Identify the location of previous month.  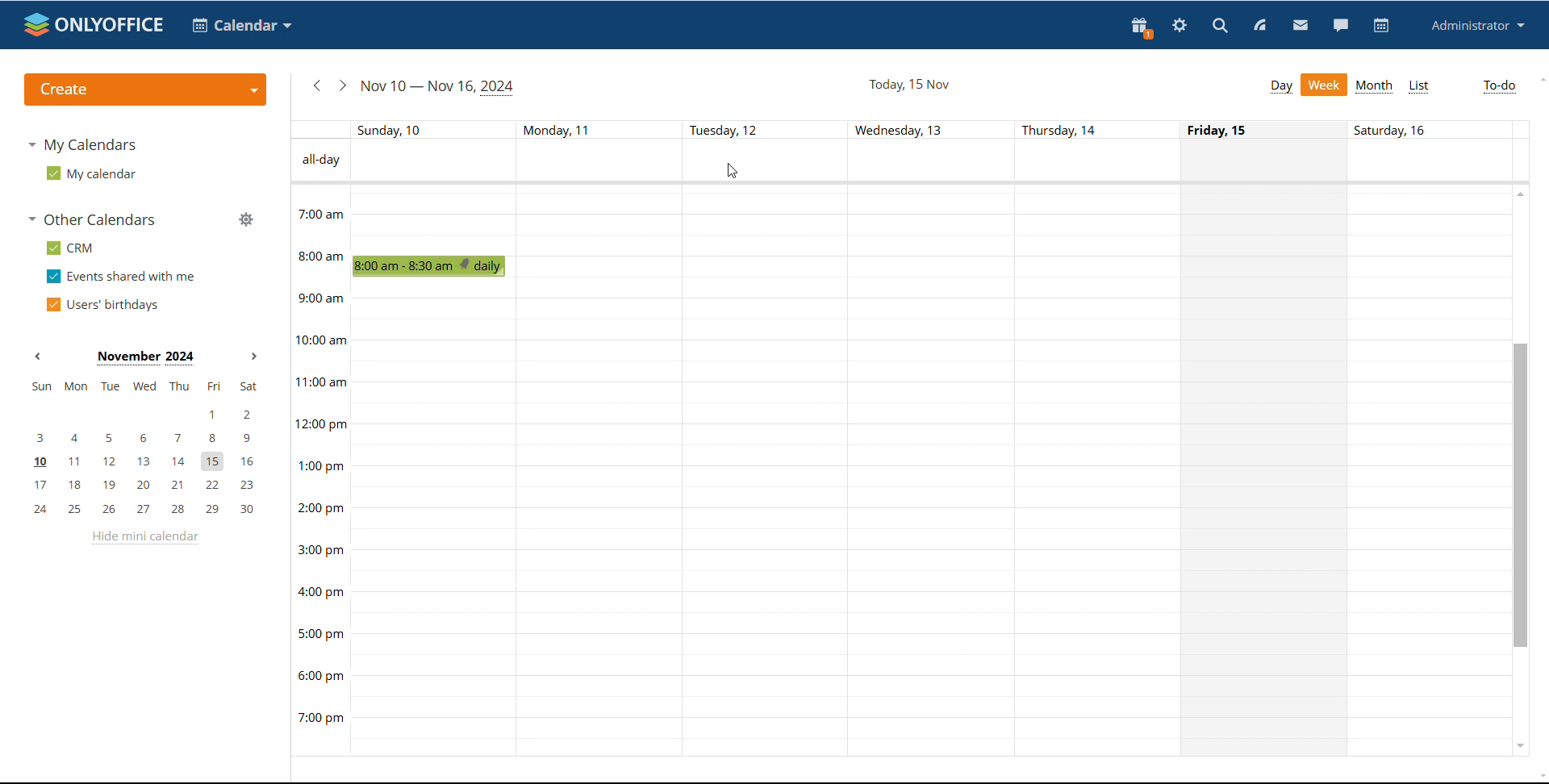
(39, 356).